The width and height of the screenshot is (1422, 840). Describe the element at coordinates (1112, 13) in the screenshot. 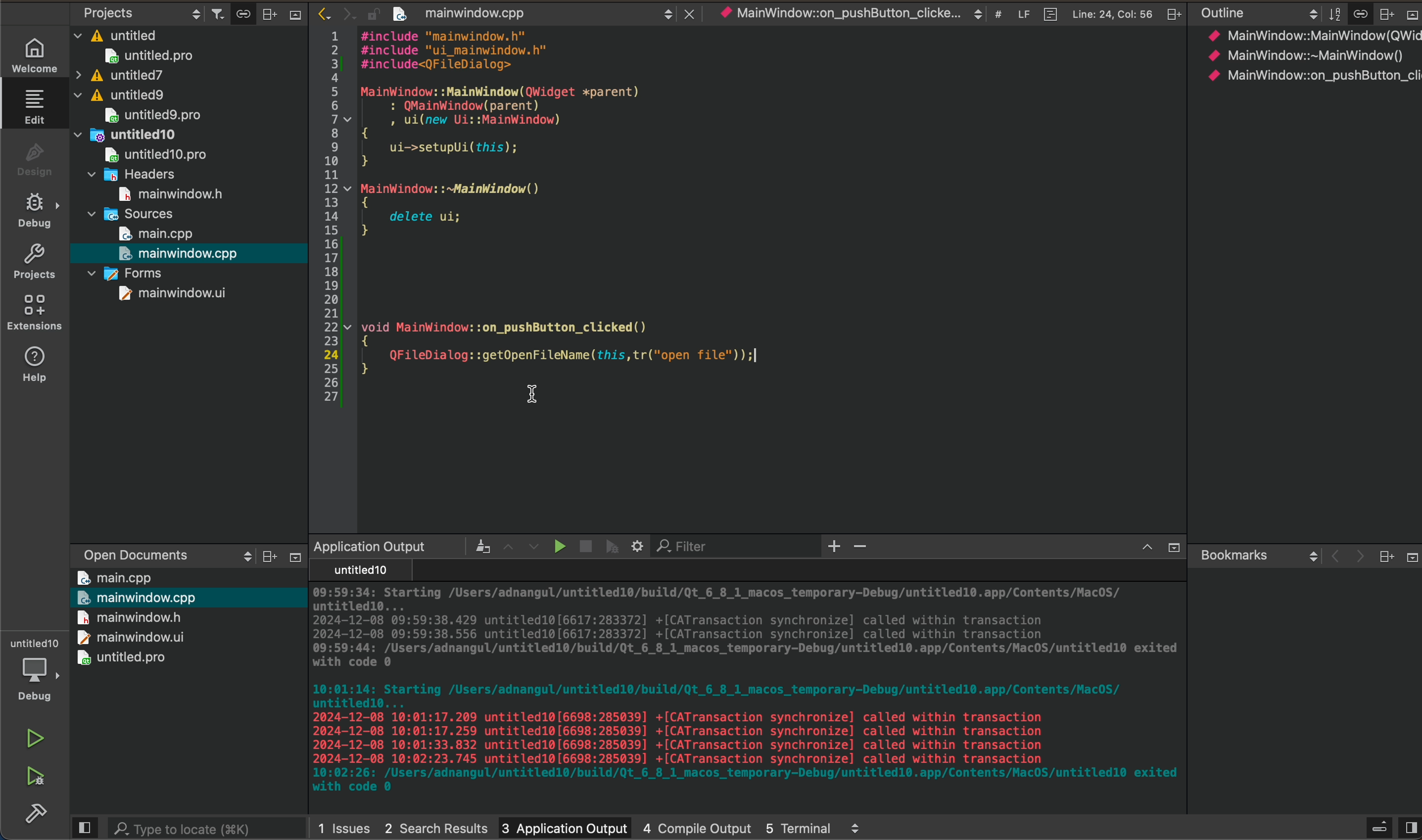

I see `Line: 24, Col: 5` at that location.